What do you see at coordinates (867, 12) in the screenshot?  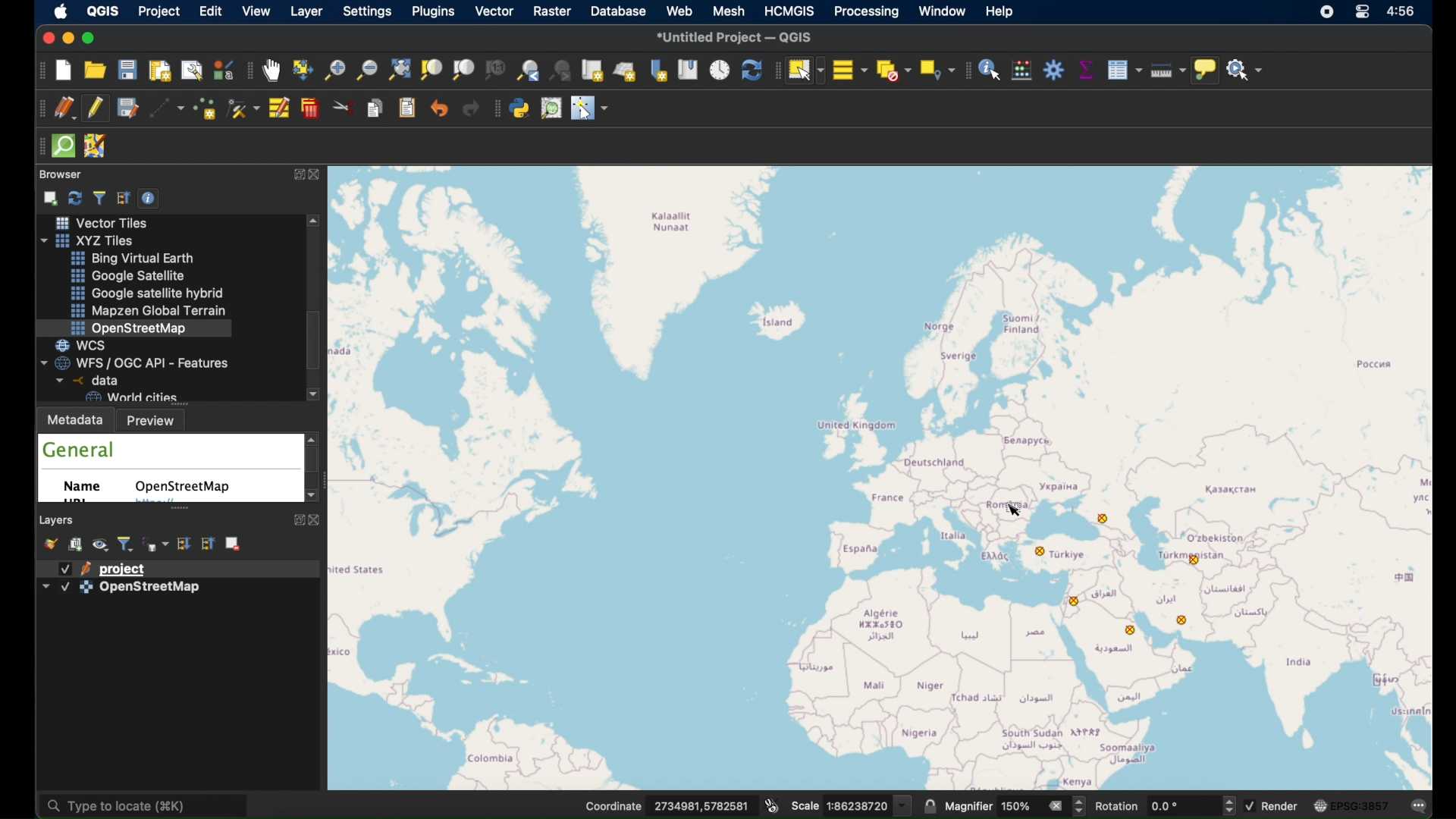 I see `processing` at bounding box center [867, 12].